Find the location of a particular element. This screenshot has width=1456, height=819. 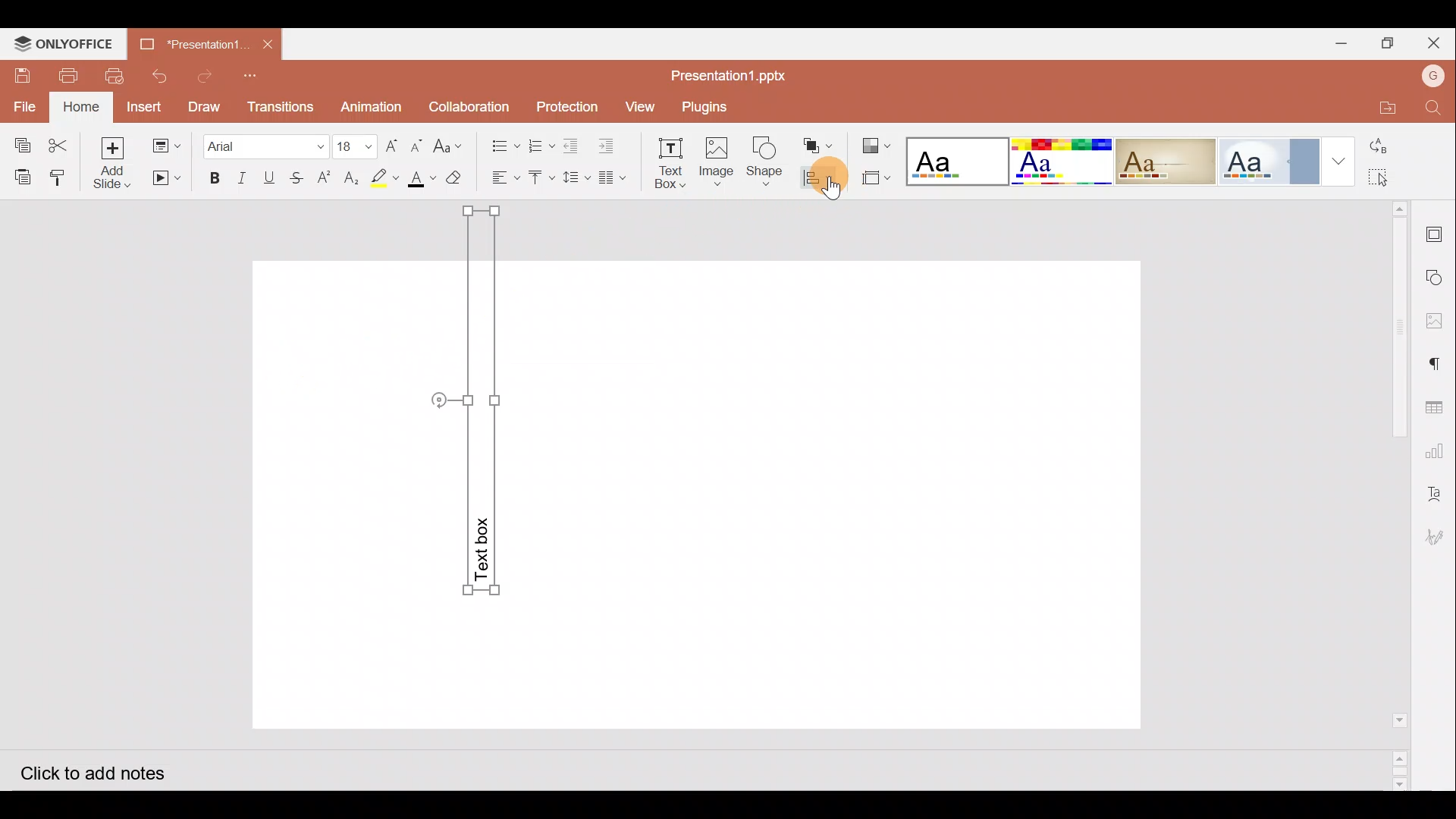

Basic is located at coordinates (1057, 160).